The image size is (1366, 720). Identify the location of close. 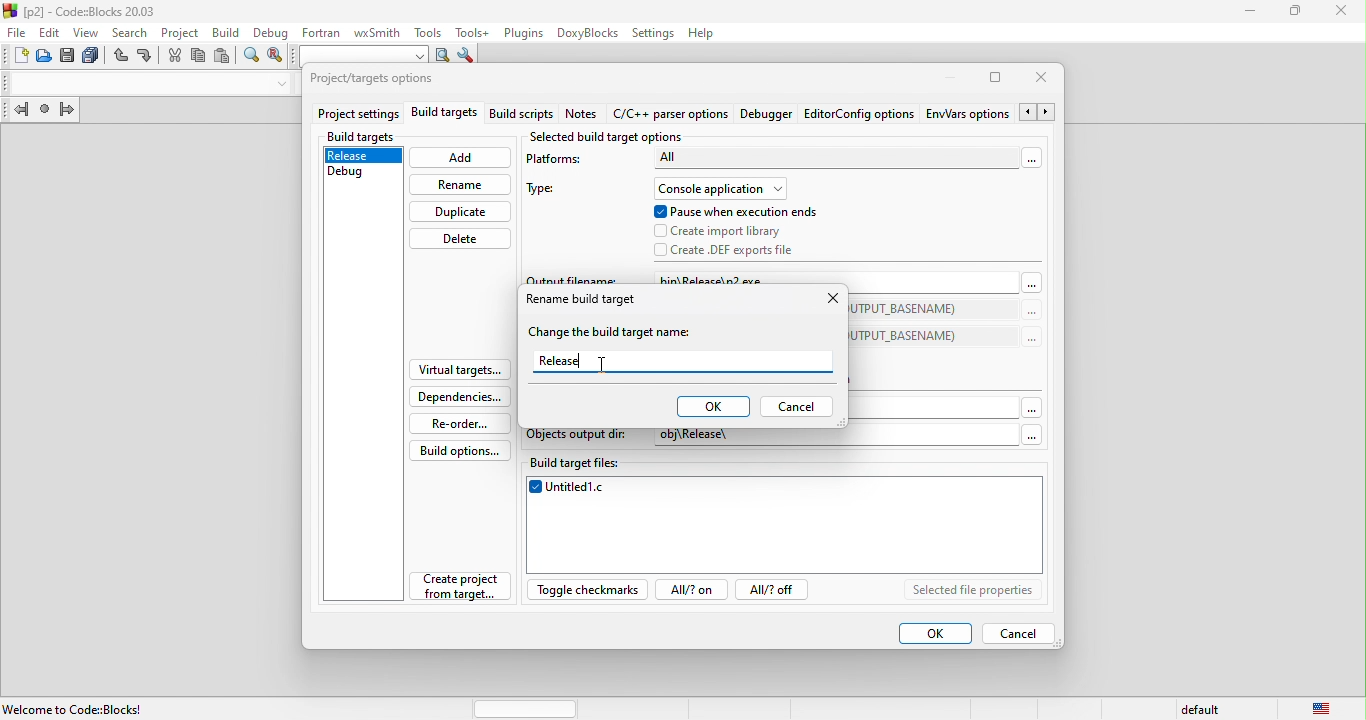
(829, 301).